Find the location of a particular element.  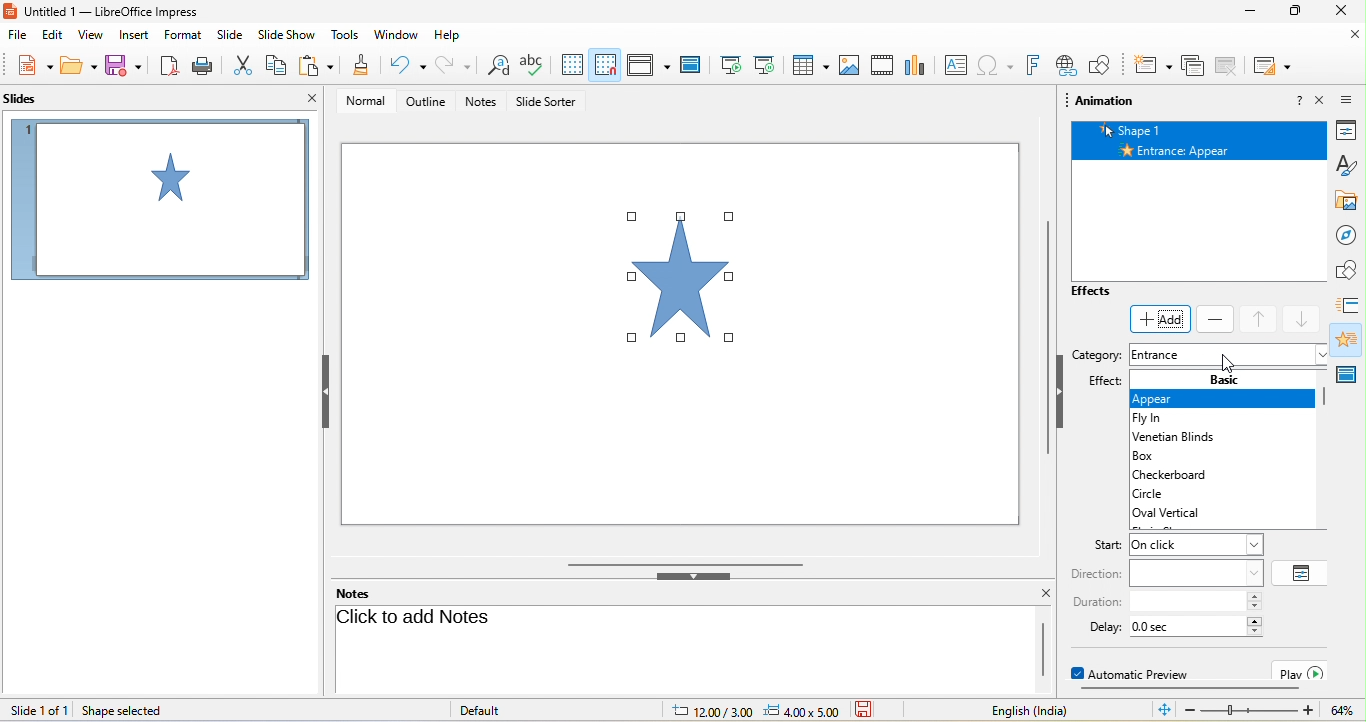

direction is located at coordinates (1097, 574).